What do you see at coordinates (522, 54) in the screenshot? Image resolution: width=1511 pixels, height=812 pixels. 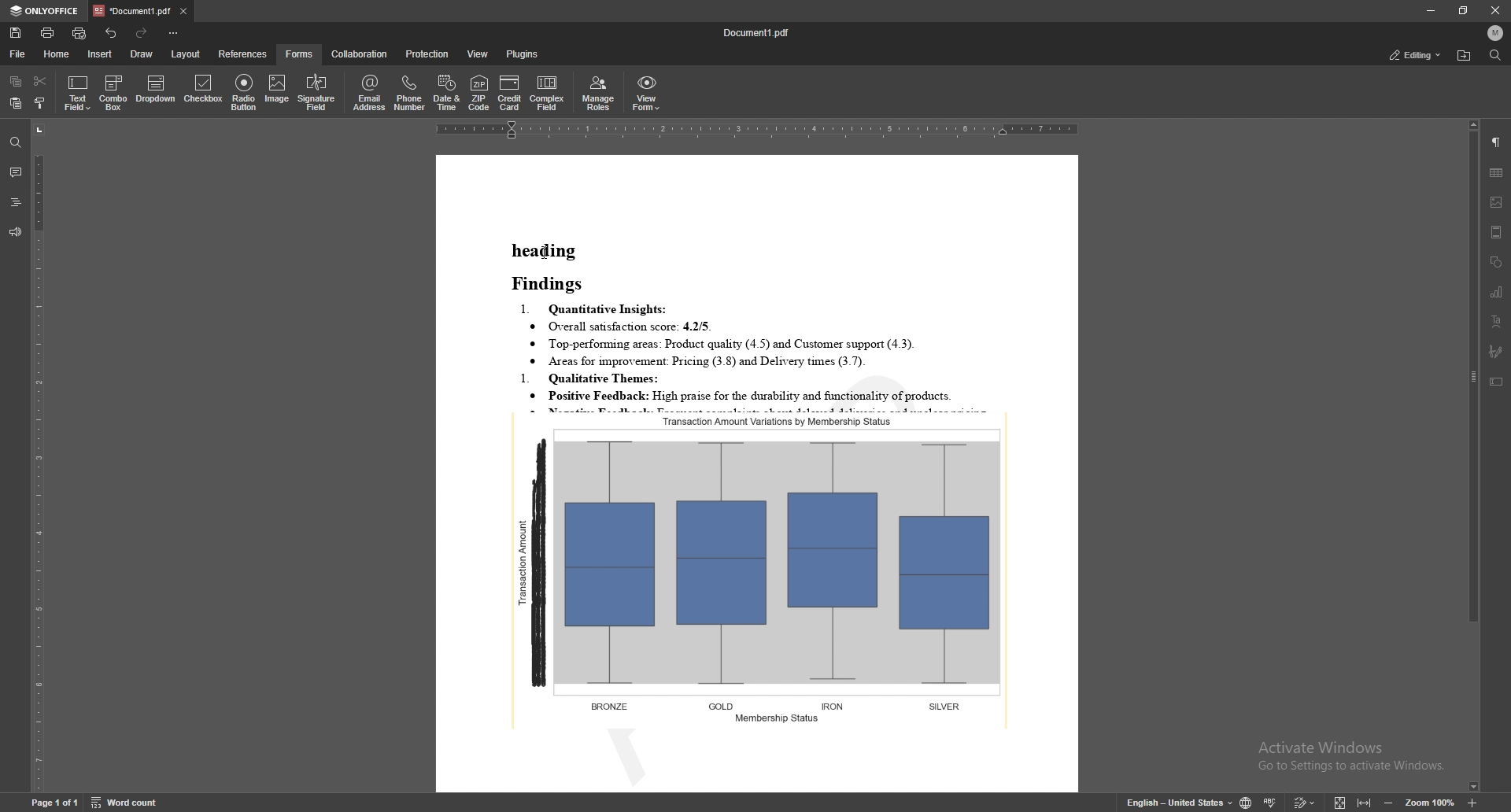 I see `plugins` at bounding box center [522, 54].